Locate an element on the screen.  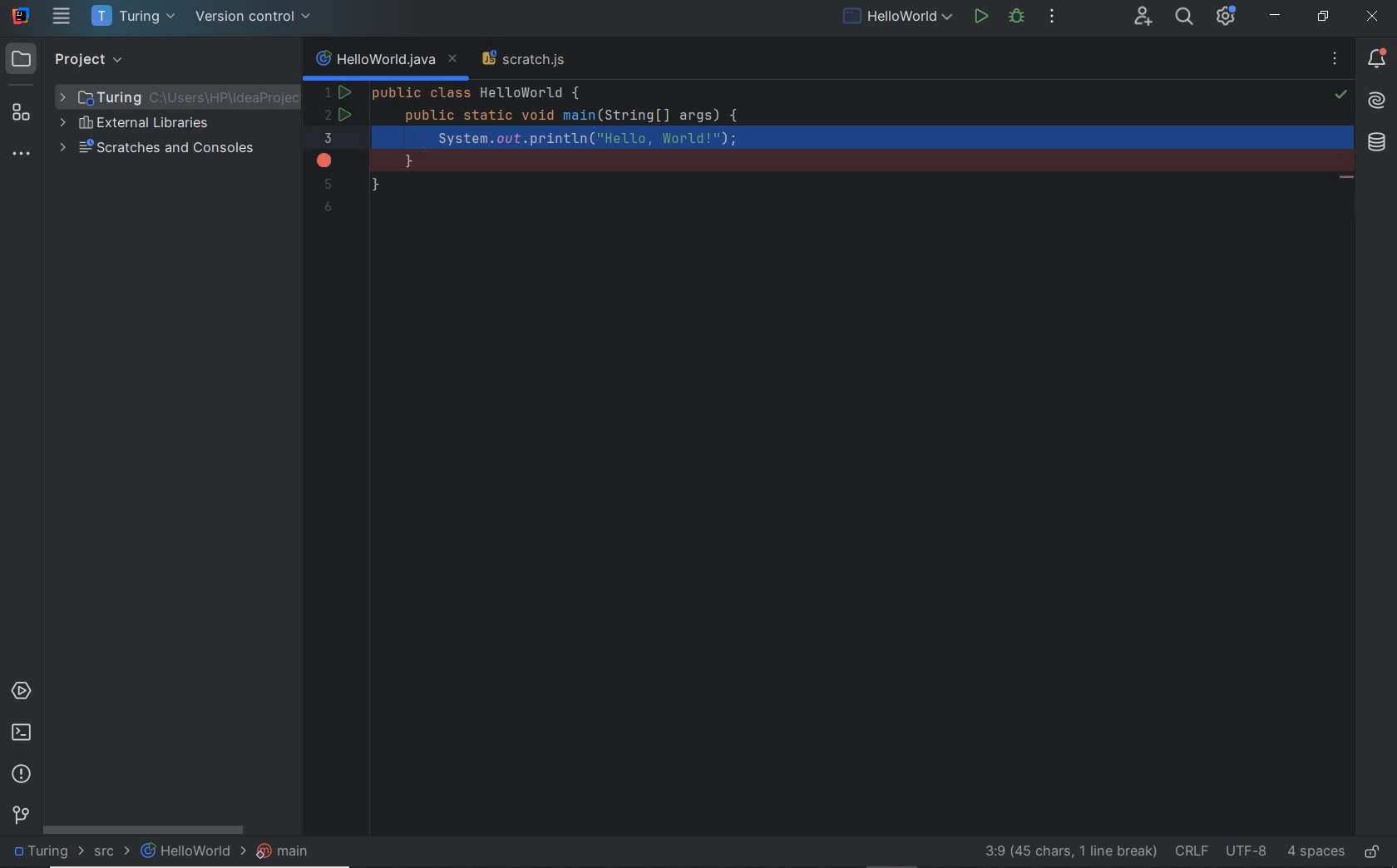
project is located at coordinates (76, 59).